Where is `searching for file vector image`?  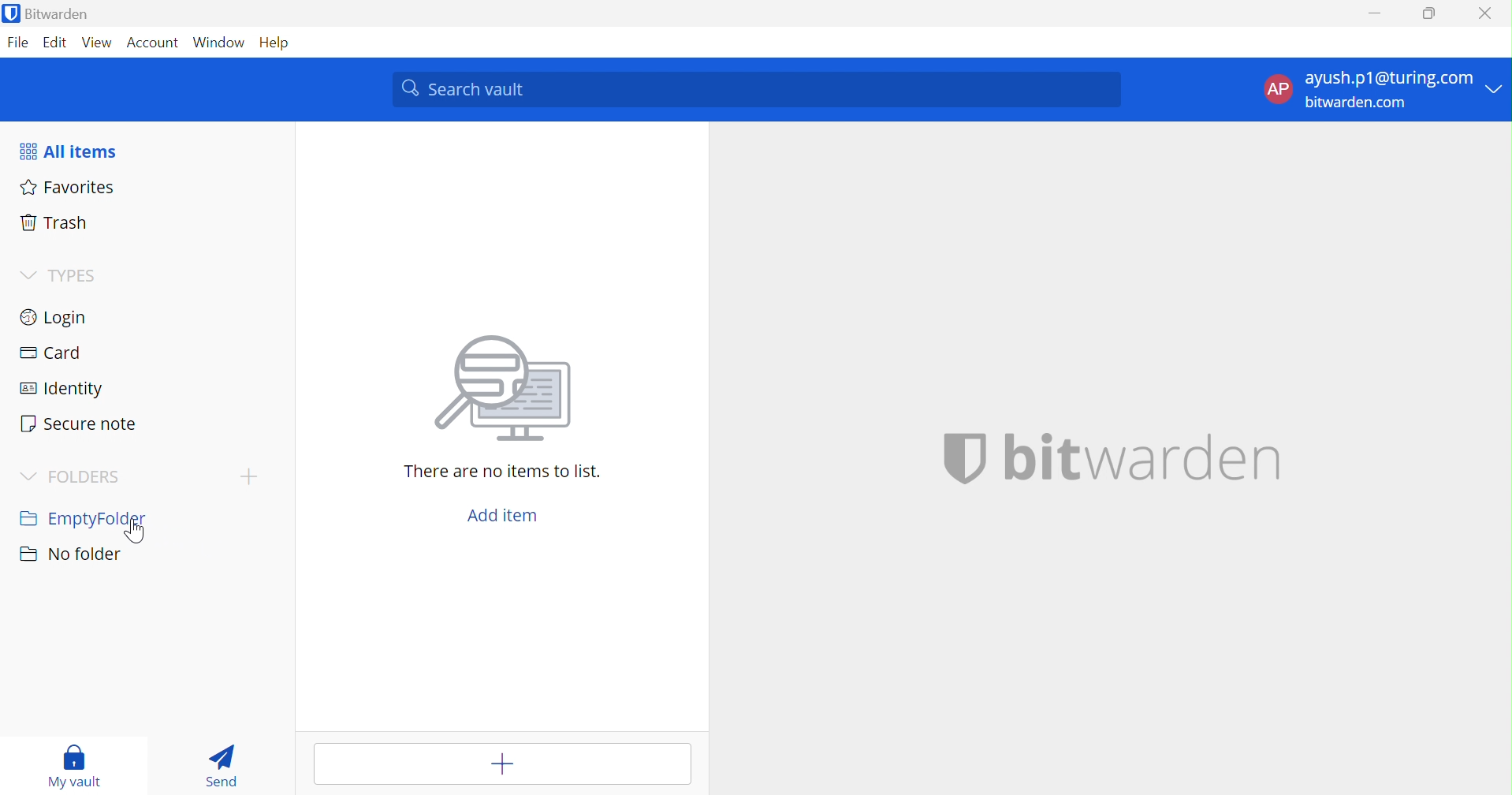 searching for file vector image is located at coordinates (496, 390).